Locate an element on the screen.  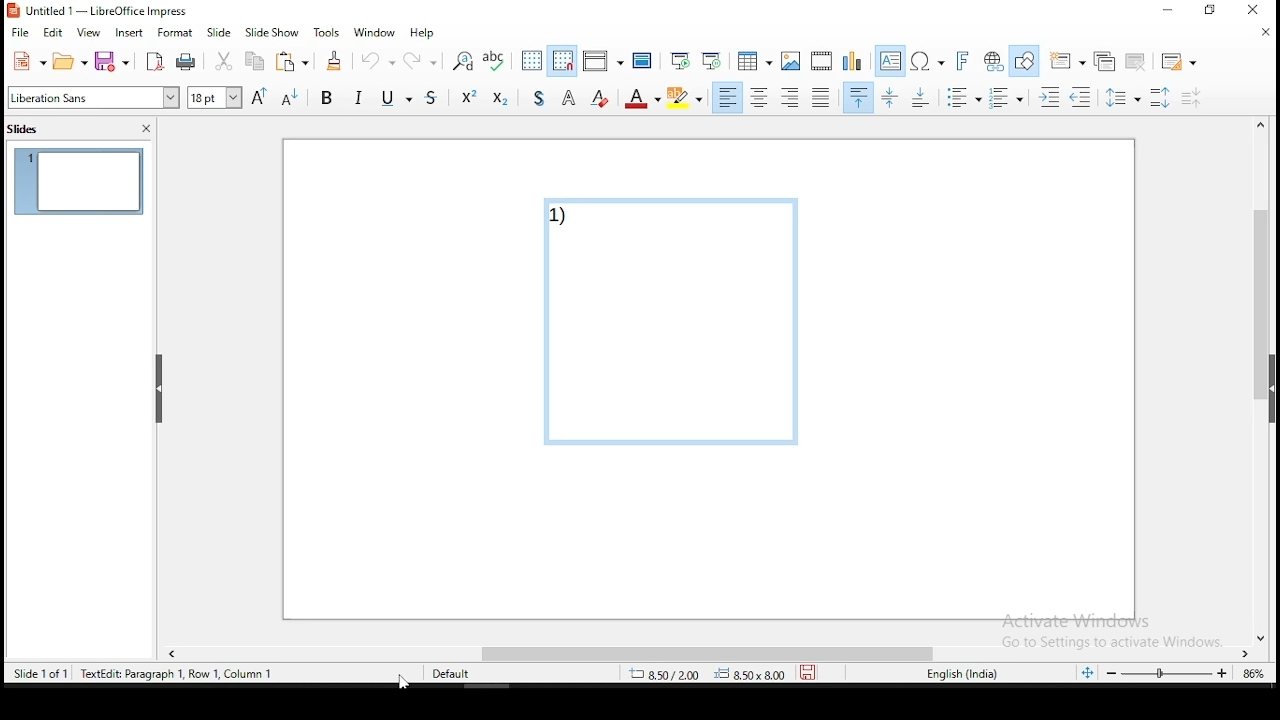
open is located at coordinates (69, 63).